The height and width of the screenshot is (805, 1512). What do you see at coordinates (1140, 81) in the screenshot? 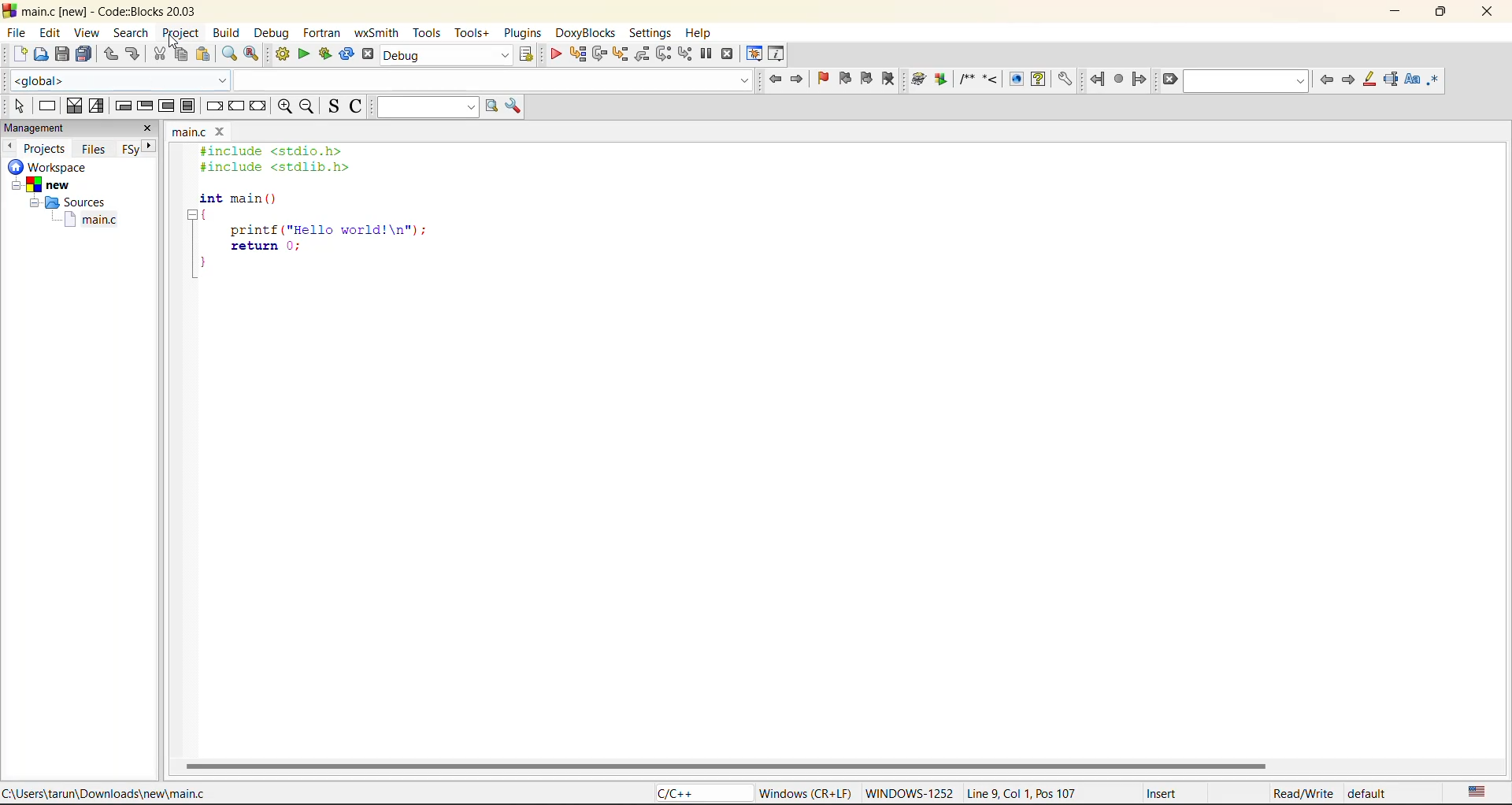
I see `jump forward` at bounding box center [1140, 81].